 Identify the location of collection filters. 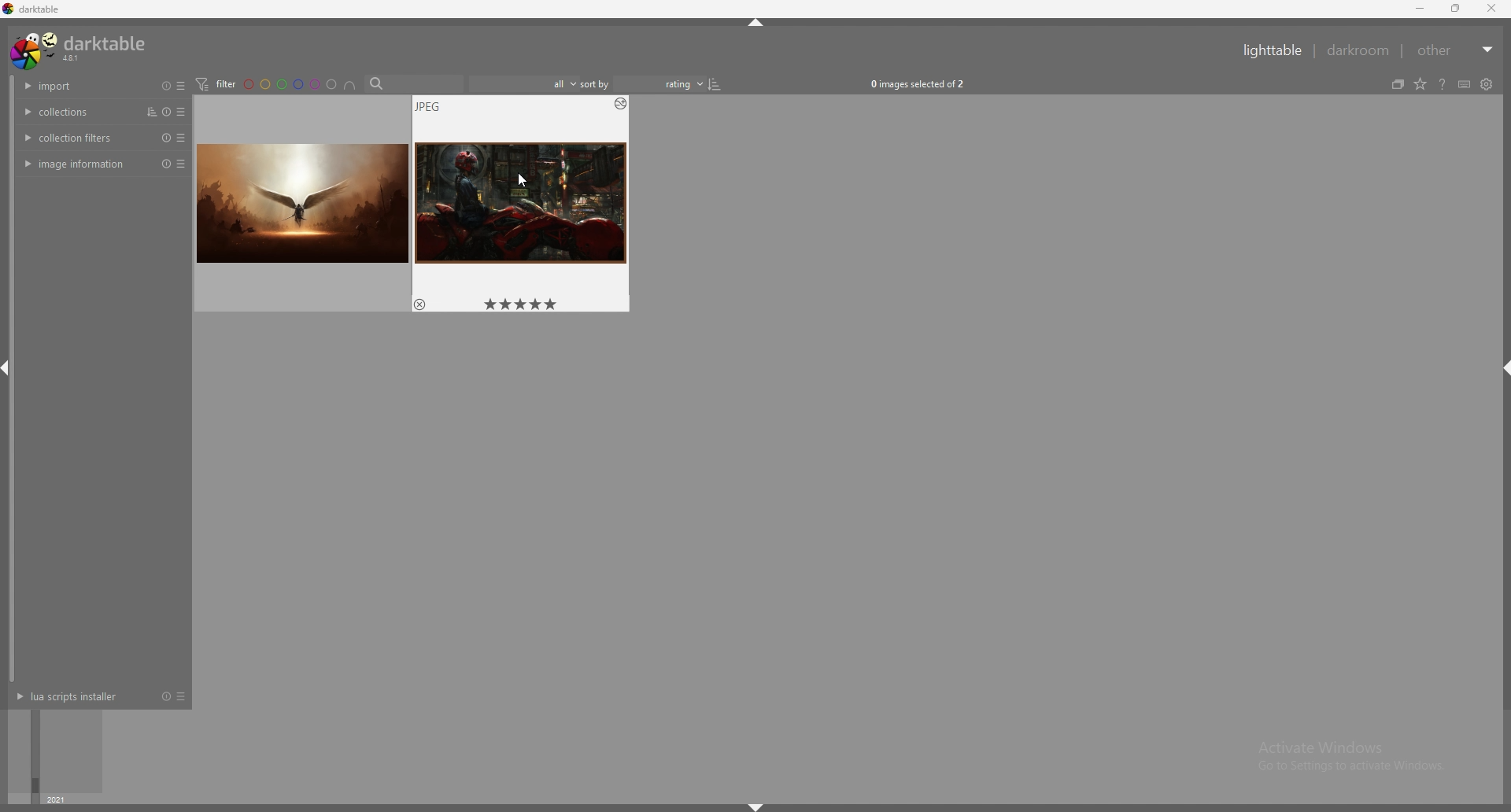
(77, 137).